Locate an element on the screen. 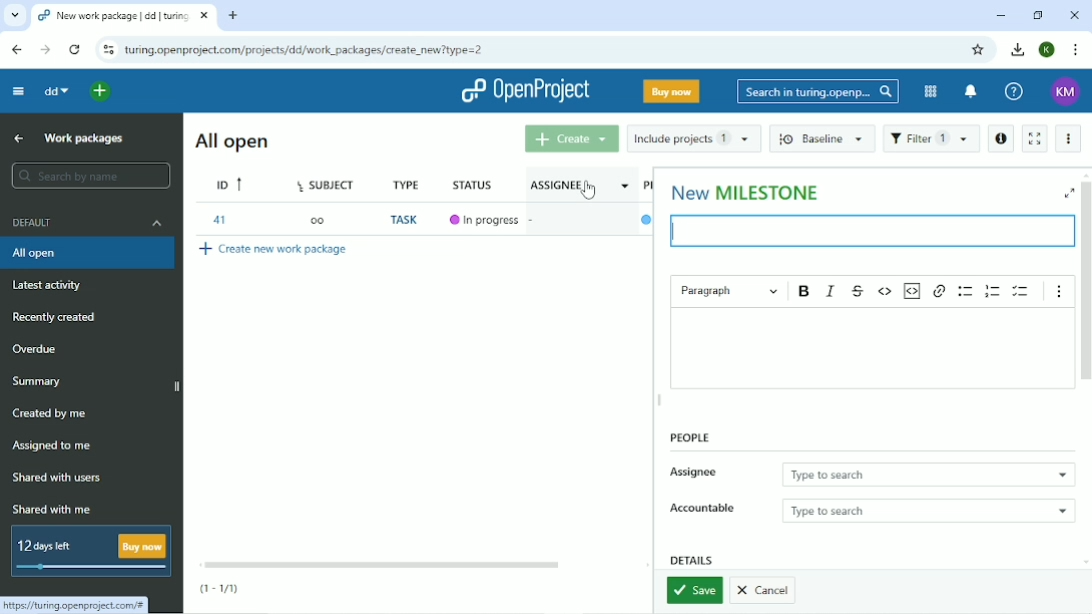  Vertical scrollbar is located at coordinates (1085, 287).